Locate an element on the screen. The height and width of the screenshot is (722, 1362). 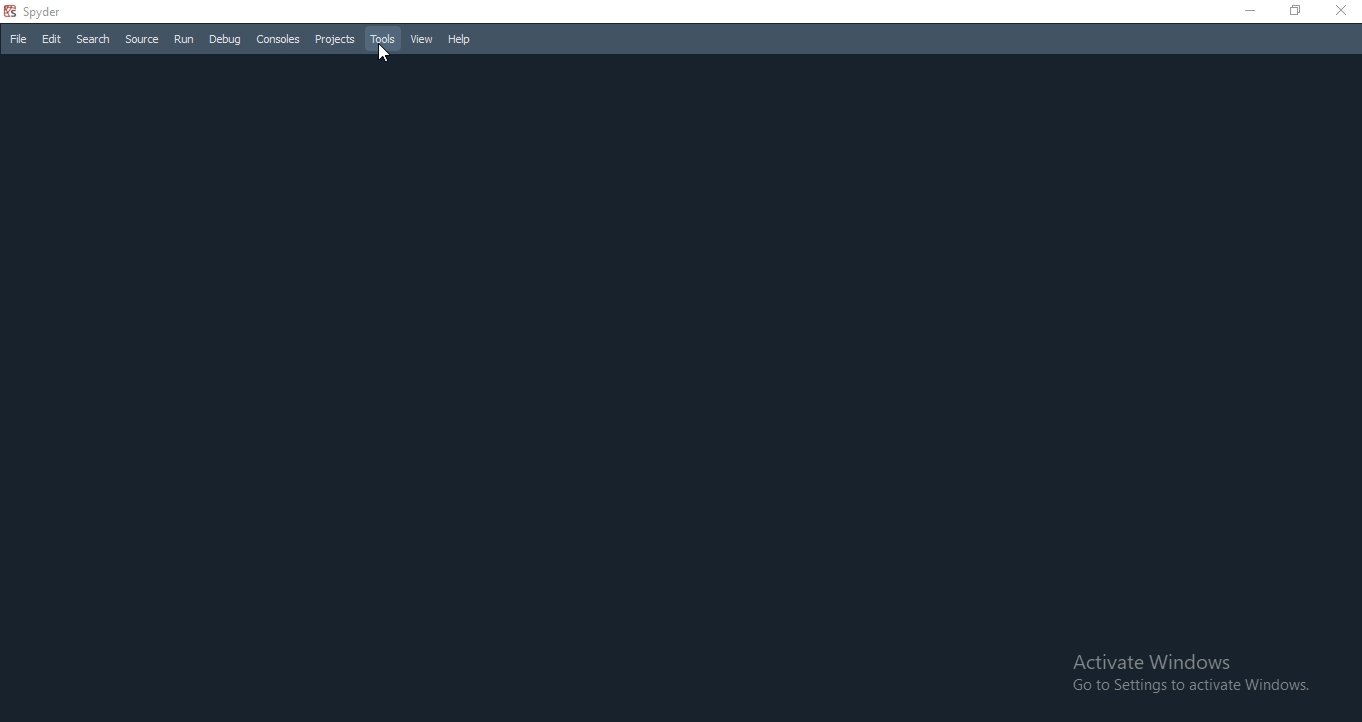
Edit is located at coordinates (52, 38).